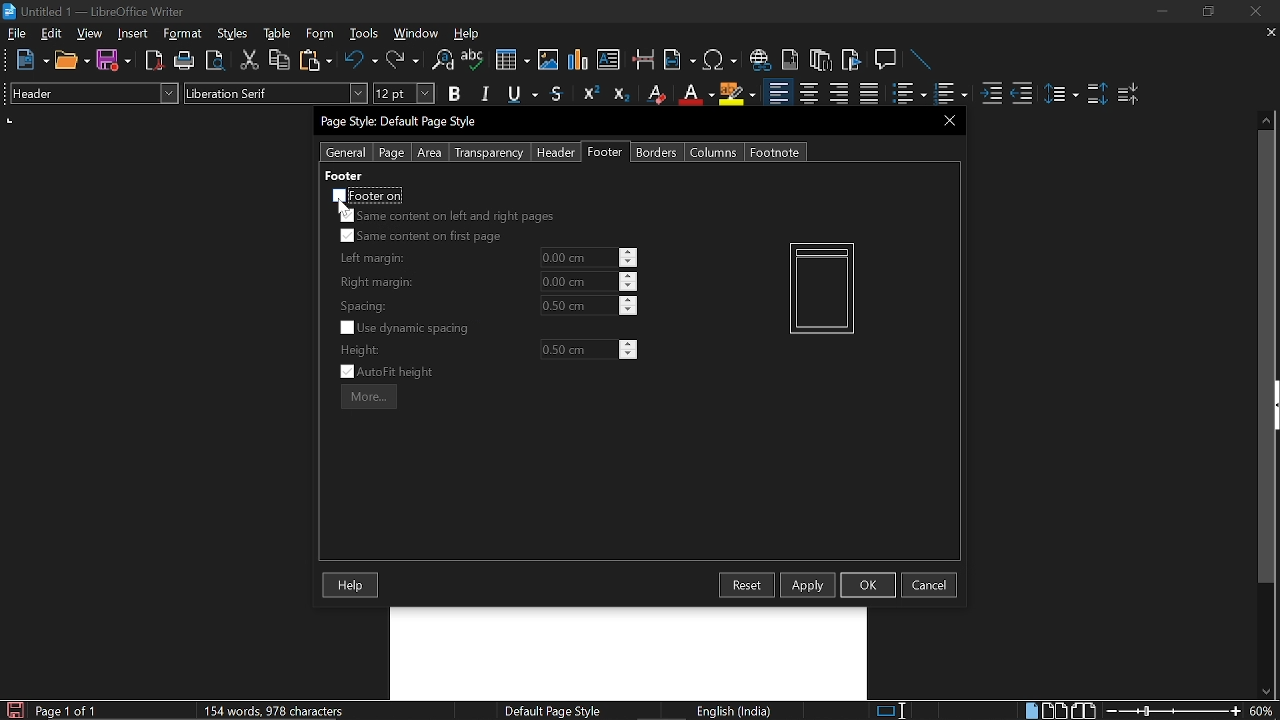 This screenshot has width=1280, height=720. What do you see at coordinates (808, 93) in the screenshot?
I see `Center` at bounding box center [808, 93].